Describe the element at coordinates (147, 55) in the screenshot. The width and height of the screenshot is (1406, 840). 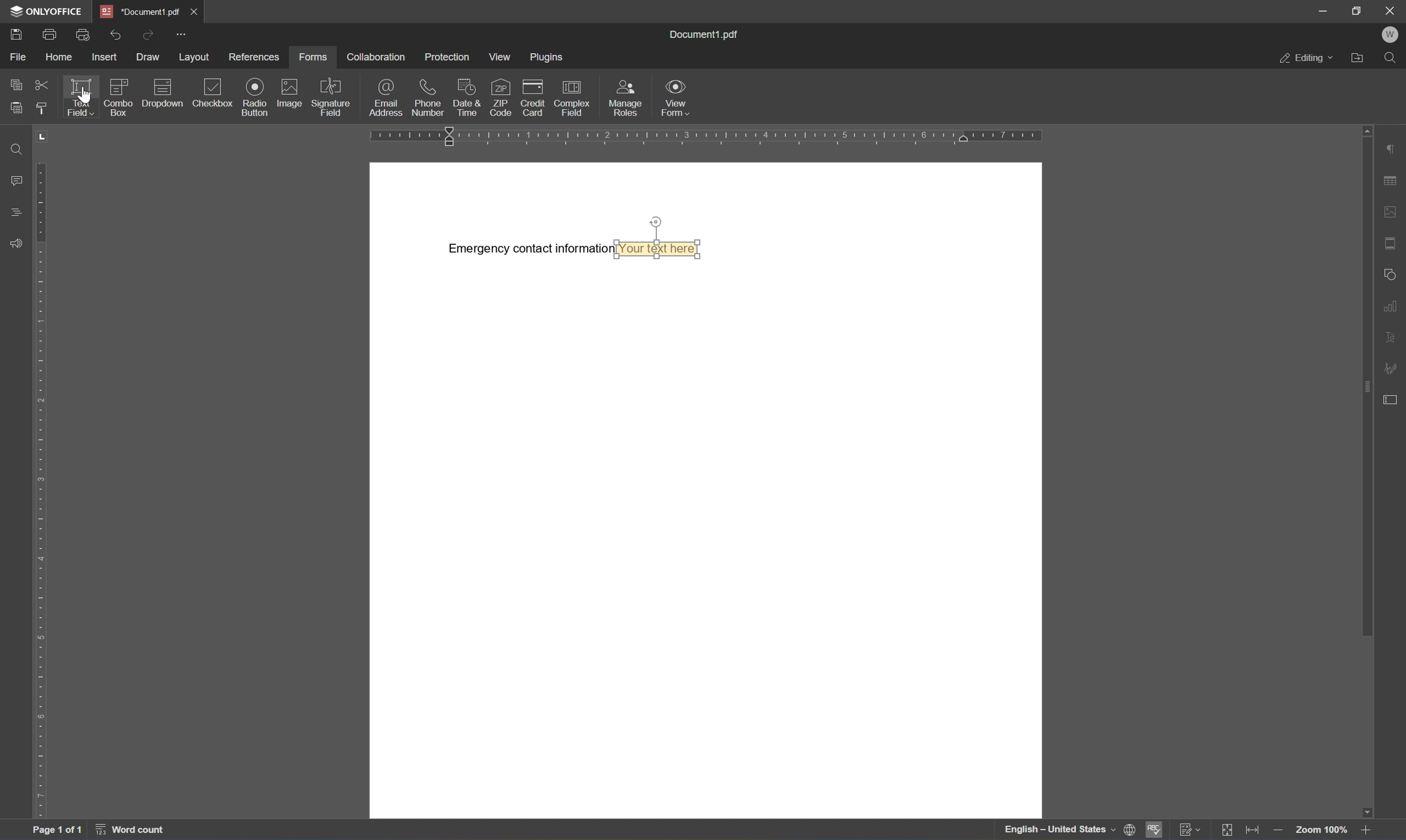
I see `draw` at that location.